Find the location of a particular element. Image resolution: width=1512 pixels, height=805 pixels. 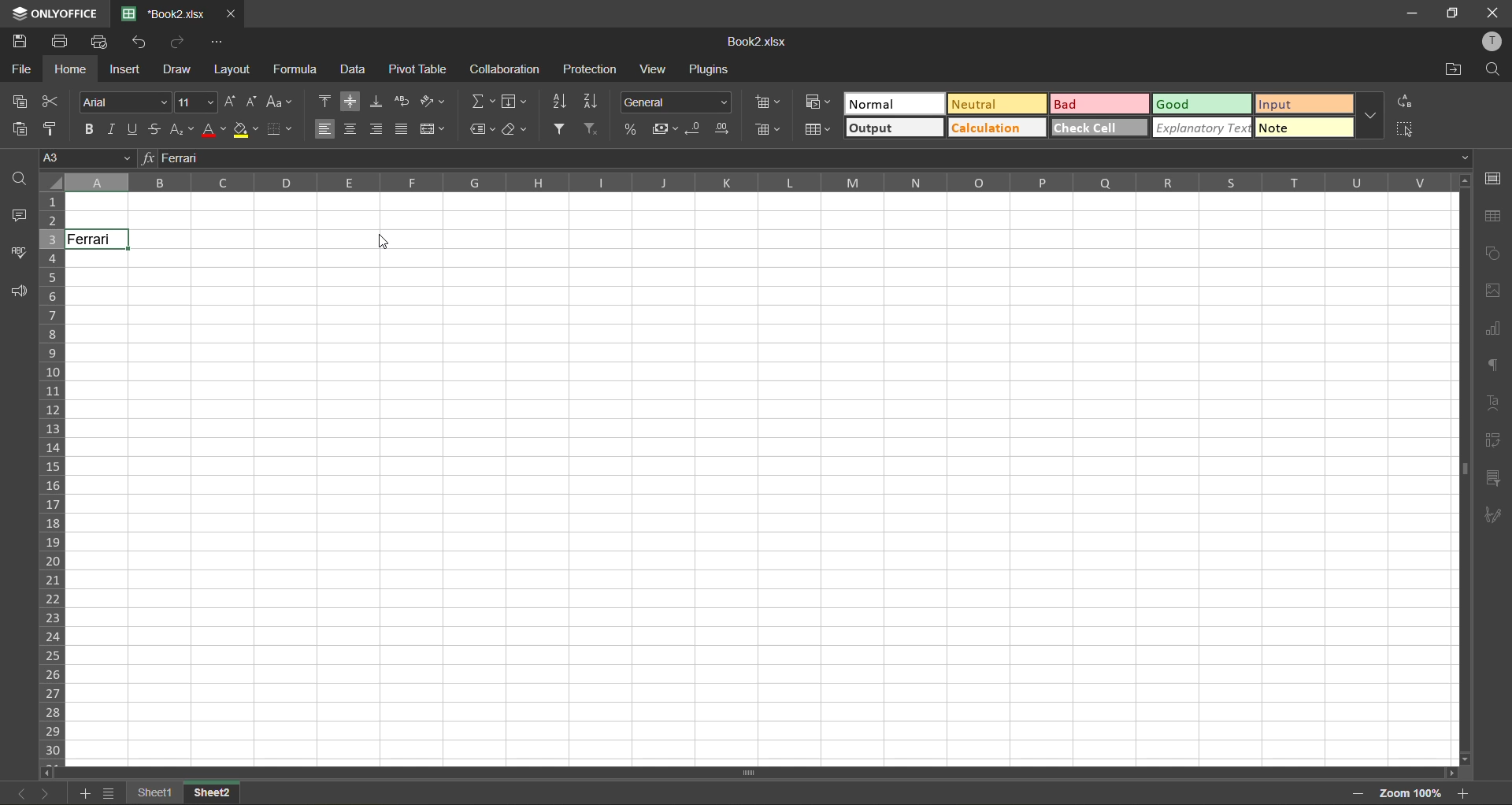

neutral is located at coordinates (991, 105).